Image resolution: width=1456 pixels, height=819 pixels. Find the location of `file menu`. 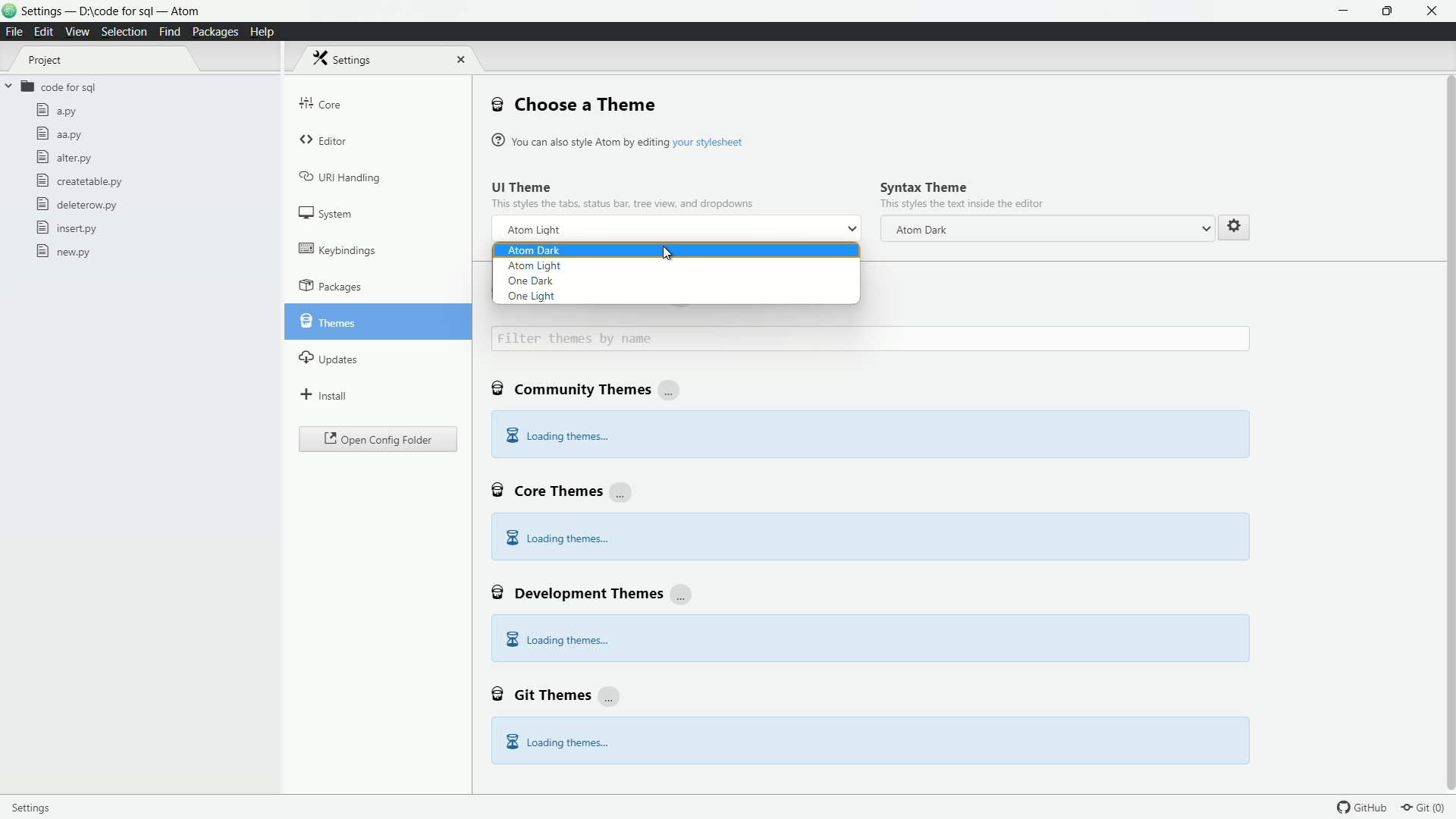

file menu is located at coordinates (14, 33).